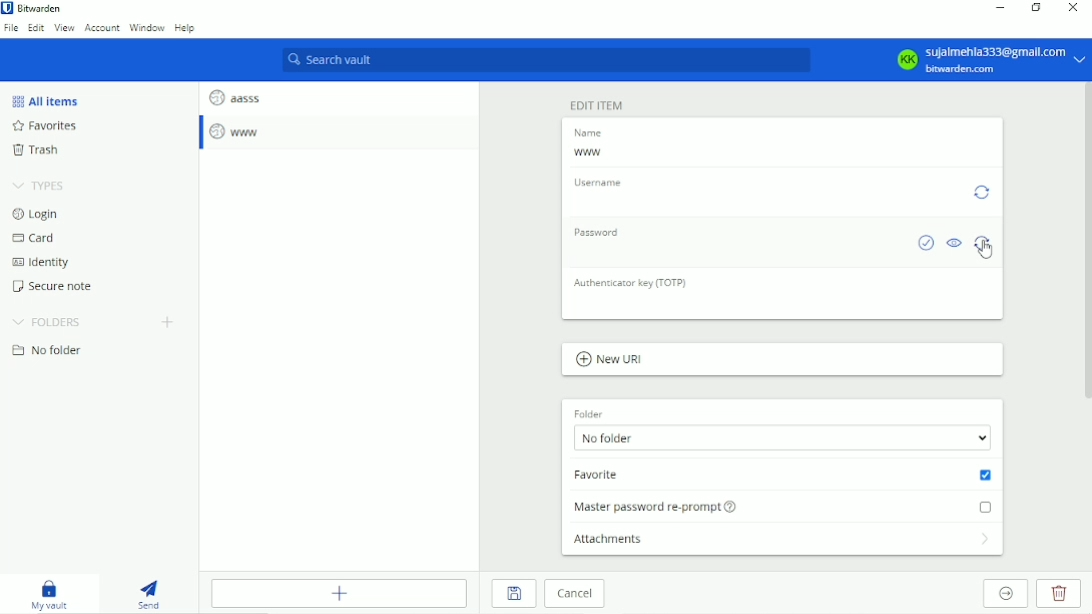 This screenshot has width=1092, height=614. Describe the element at coordinates (575, 595) in the screenshot. I see `Cancel` at that location.